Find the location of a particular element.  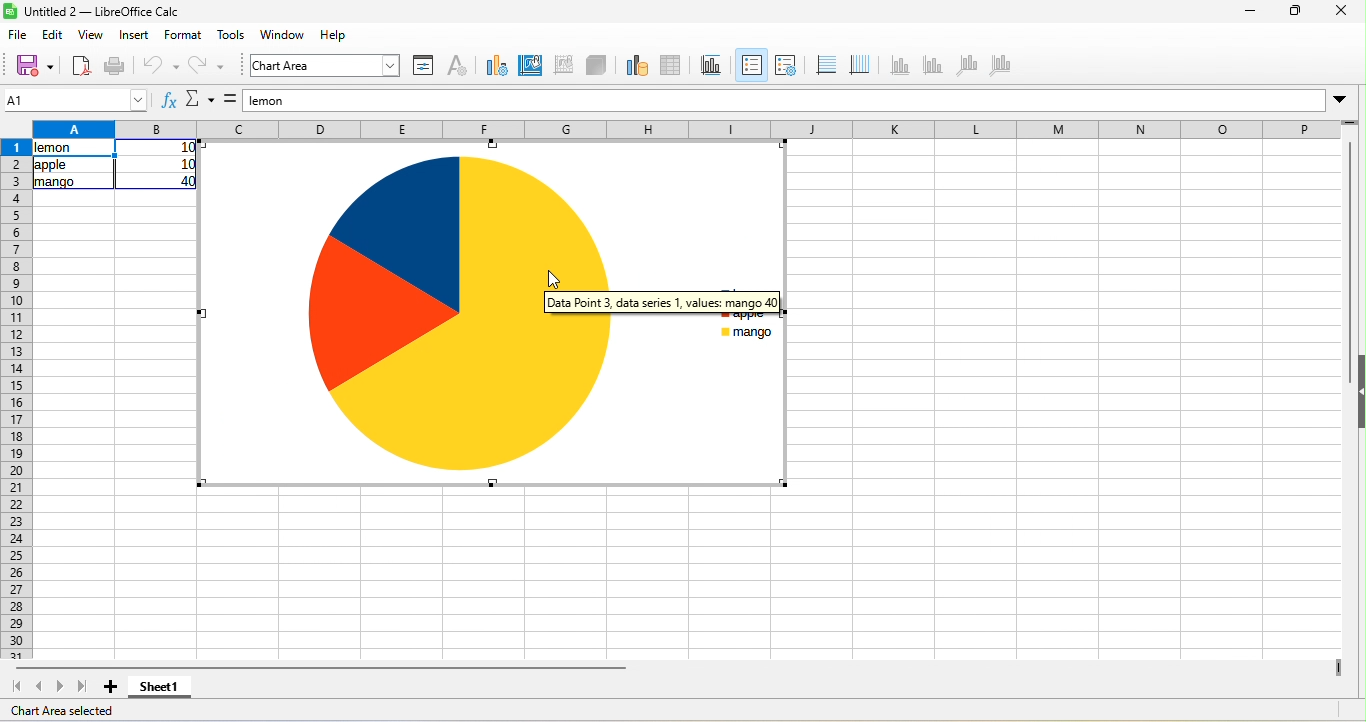

chart type is located at coordinates (495, 64).